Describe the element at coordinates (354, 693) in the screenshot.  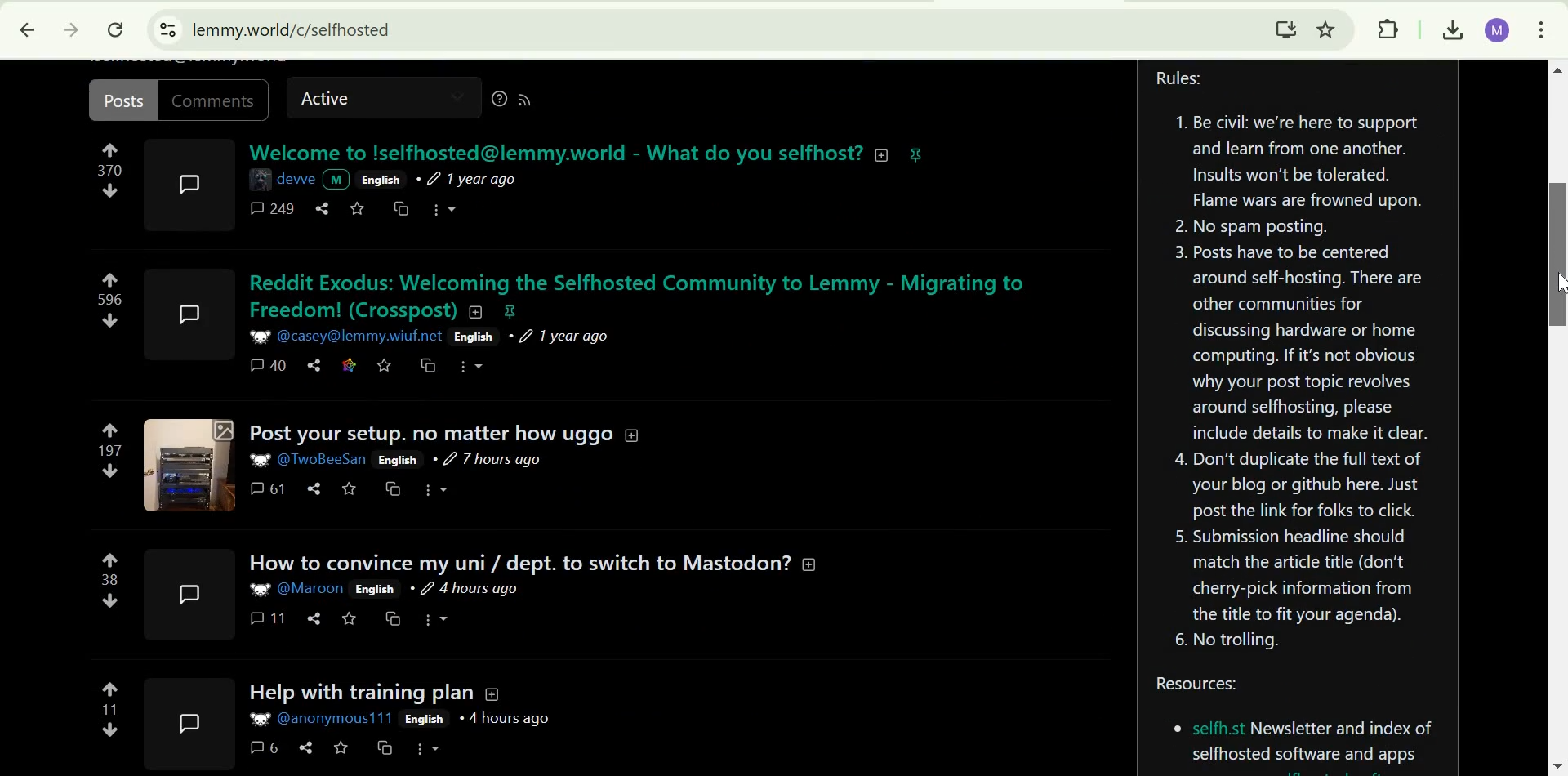
I see `Help with training plan` at that location.